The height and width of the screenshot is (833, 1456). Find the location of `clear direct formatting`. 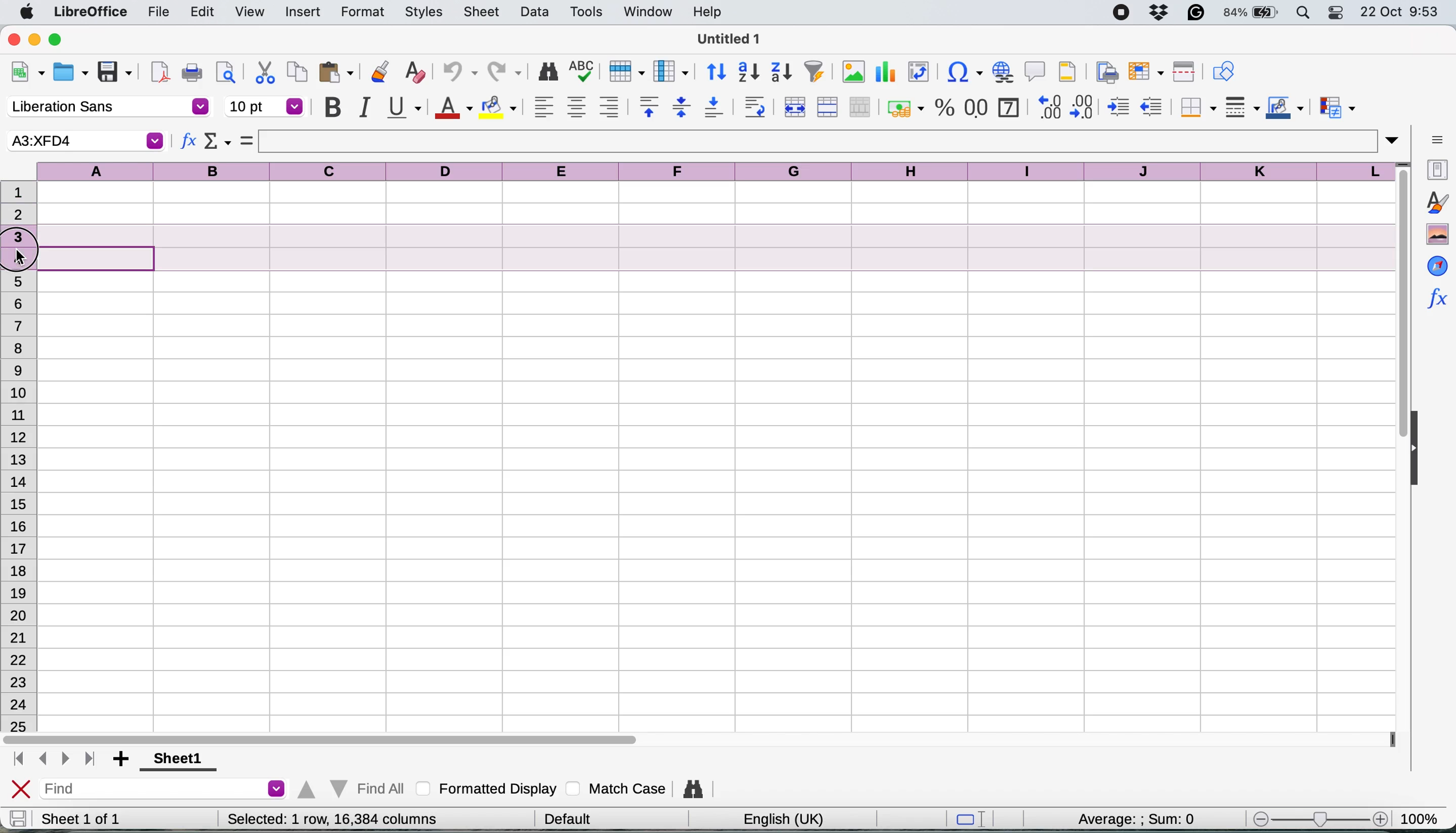

clear direct formatting is located at coordinates (415, 73).